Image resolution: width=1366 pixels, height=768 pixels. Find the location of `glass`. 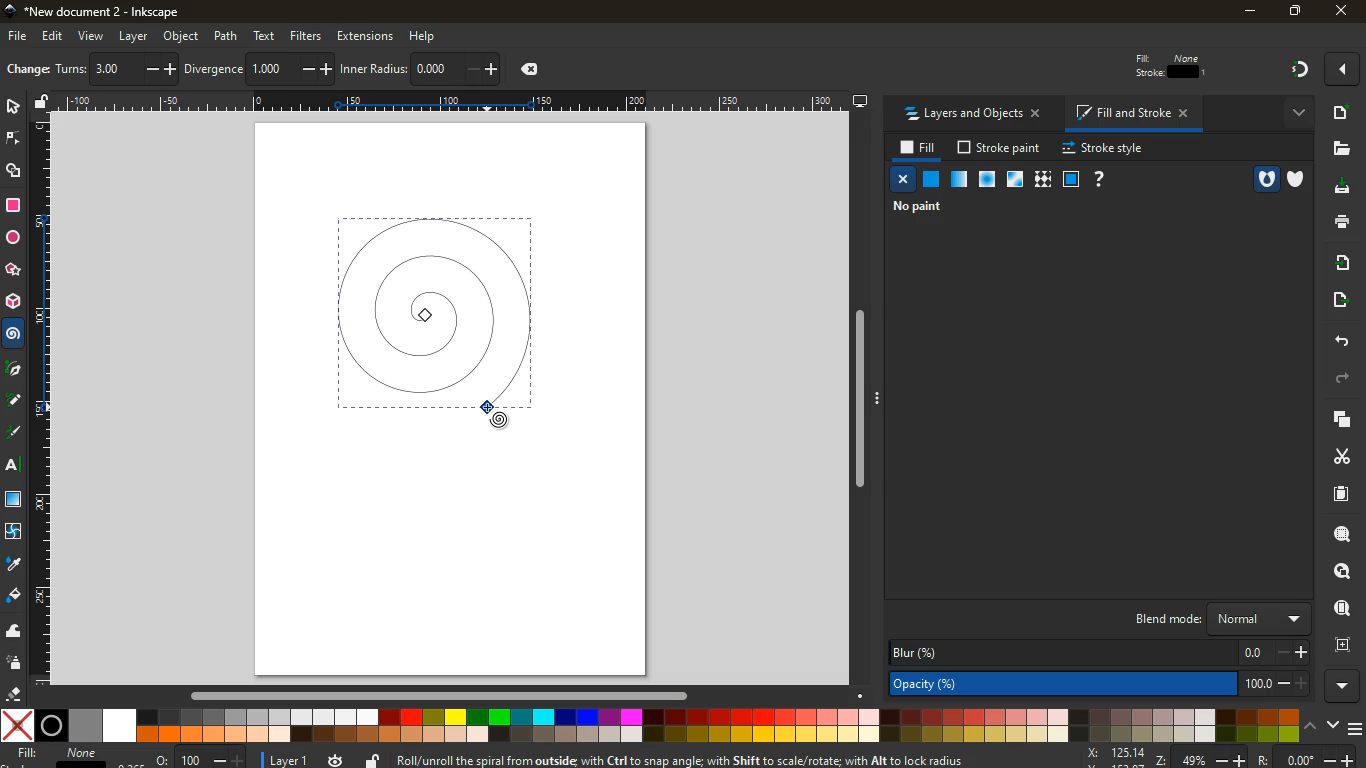

glass is located at coordinates (13, 500).